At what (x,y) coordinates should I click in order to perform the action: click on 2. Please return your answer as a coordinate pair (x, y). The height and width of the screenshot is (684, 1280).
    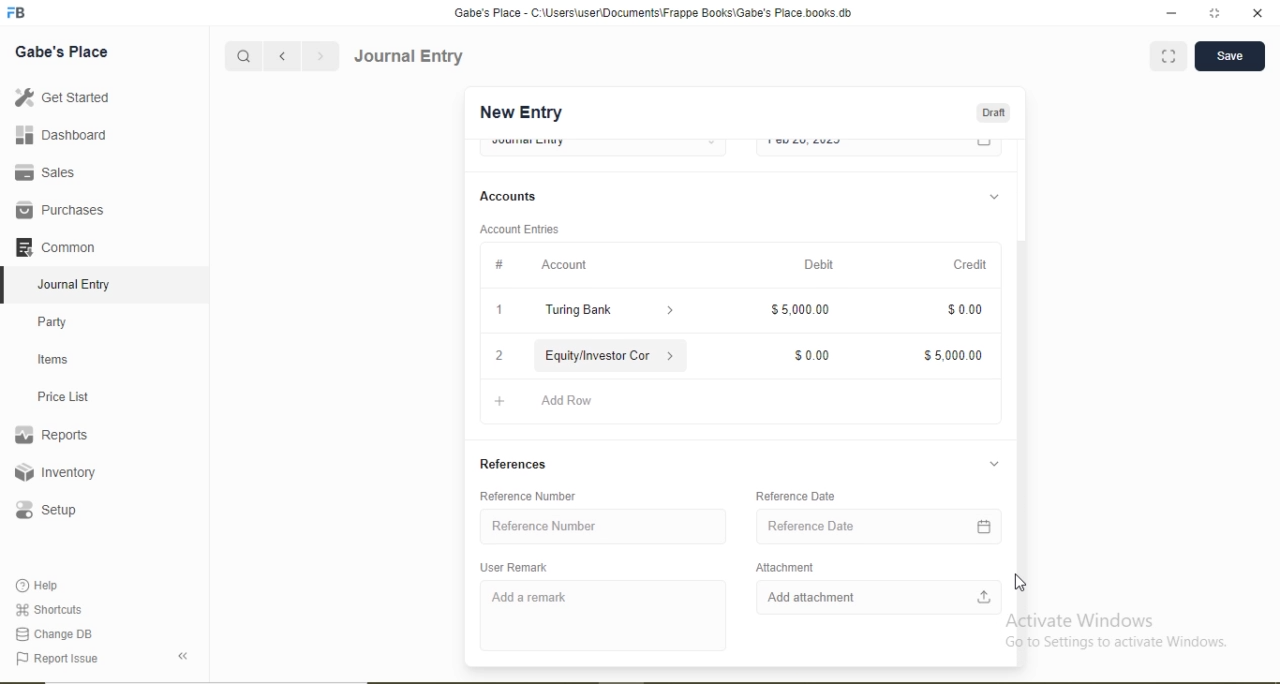
    Looking at the image, I should click on (498, 358).